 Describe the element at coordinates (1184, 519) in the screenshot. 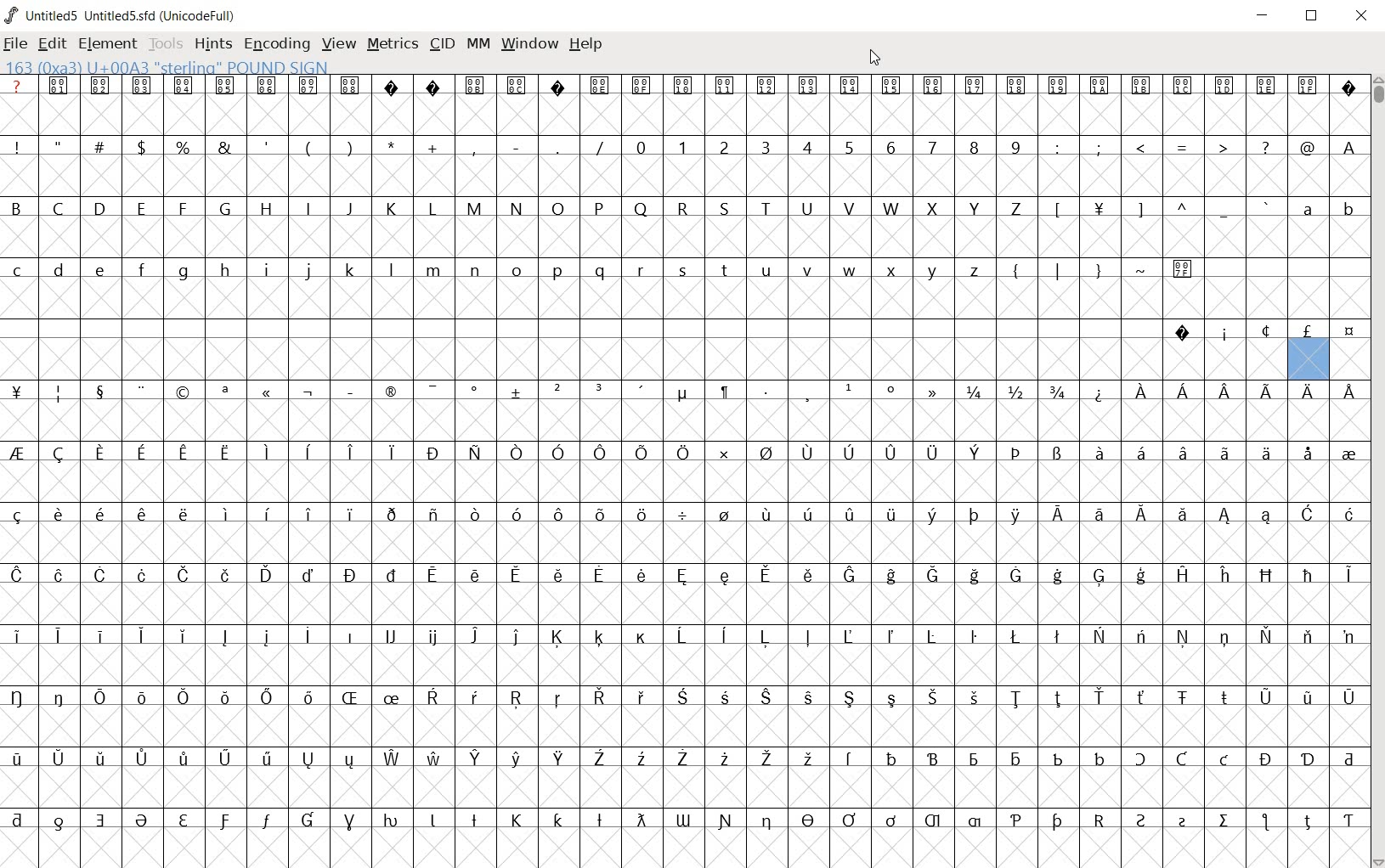

I see `Symbol` at that location.